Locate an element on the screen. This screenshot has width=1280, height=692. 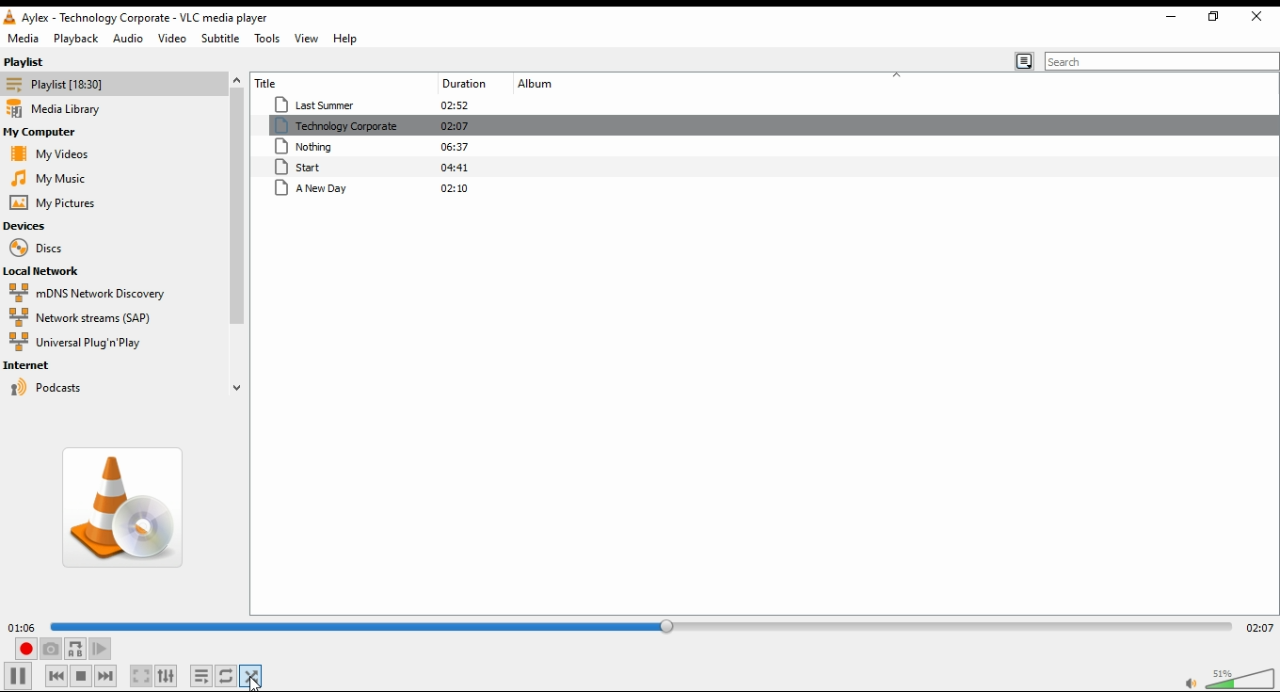
close window is located at coordinates (1257, 19).